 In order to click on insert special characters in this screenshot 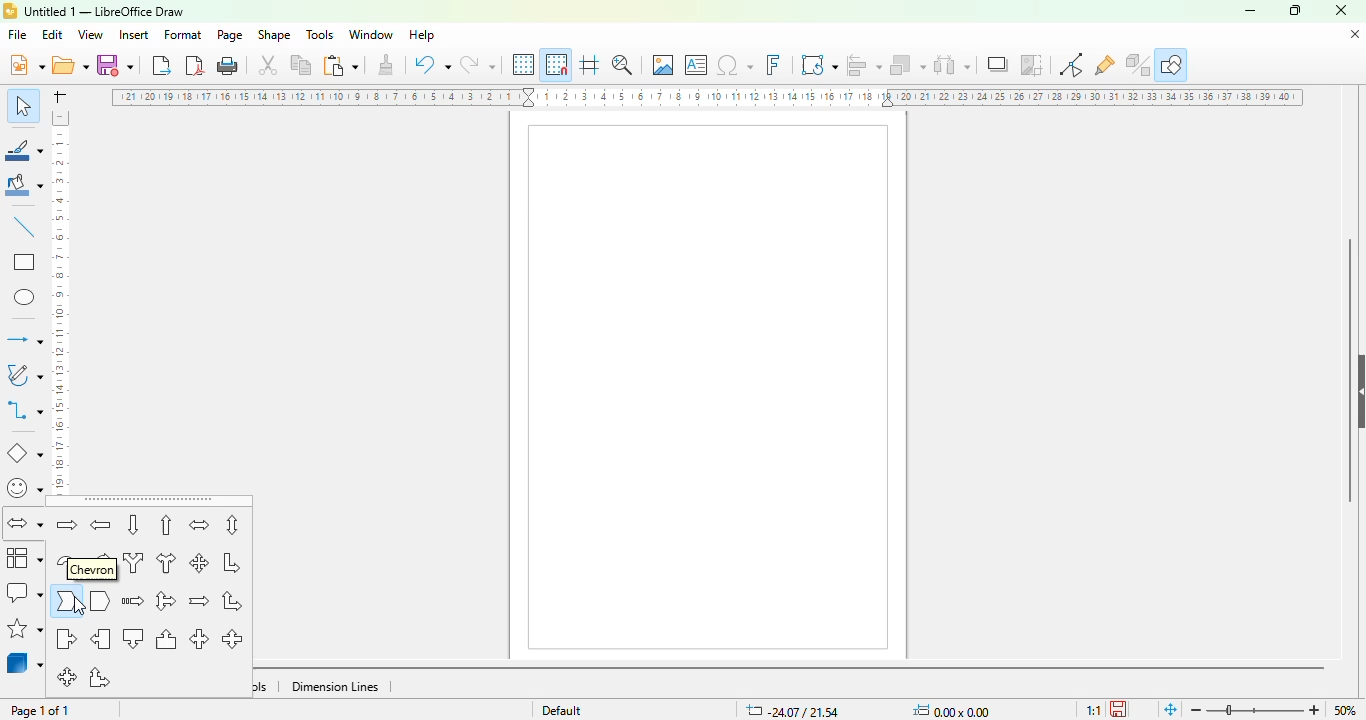, I will do `click(735, 65)`.